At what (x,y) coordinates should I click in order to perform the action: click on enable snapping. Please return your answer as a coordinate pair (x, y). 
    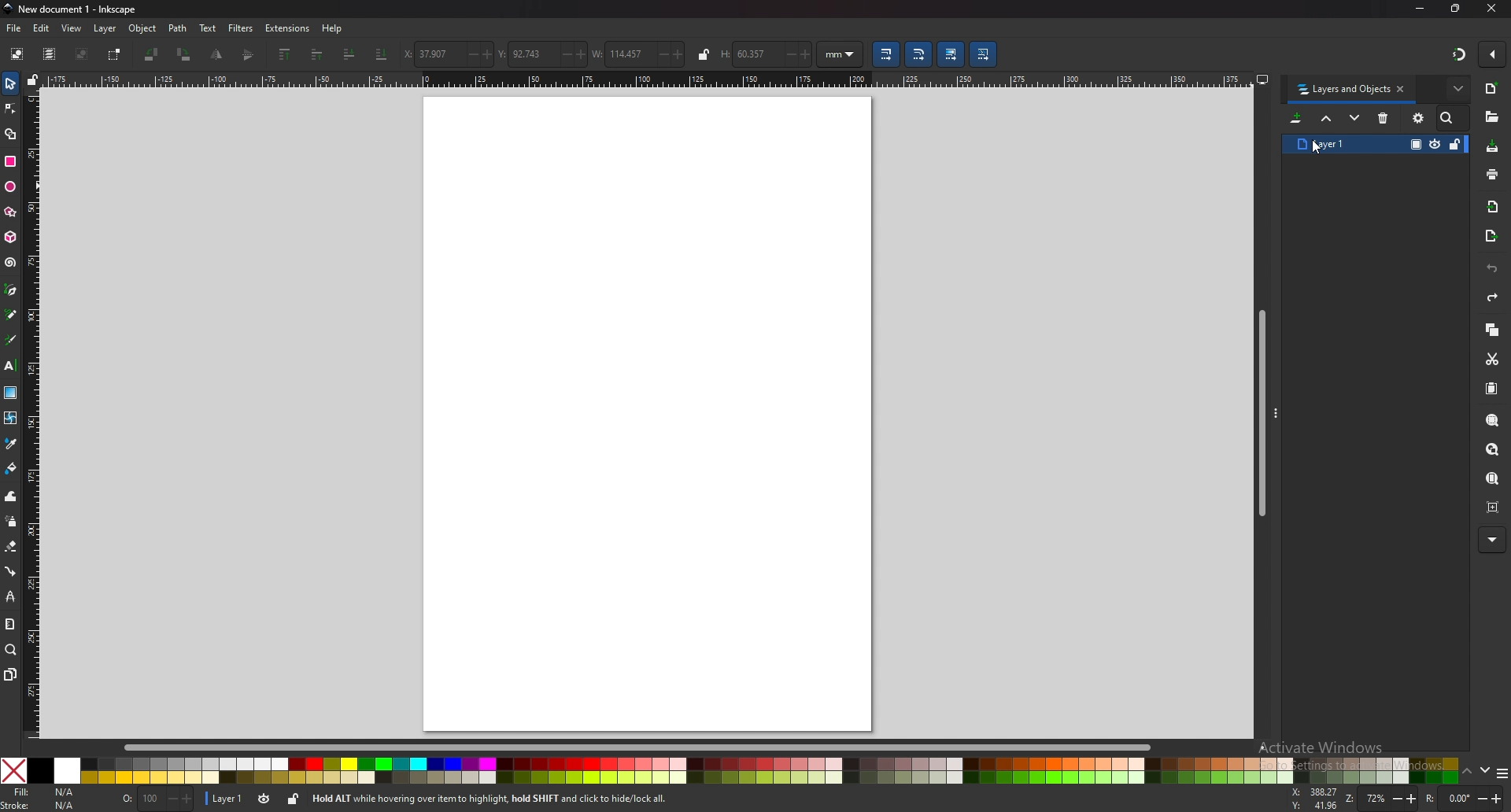
    Looking at the image, I should click on (1493, 54).